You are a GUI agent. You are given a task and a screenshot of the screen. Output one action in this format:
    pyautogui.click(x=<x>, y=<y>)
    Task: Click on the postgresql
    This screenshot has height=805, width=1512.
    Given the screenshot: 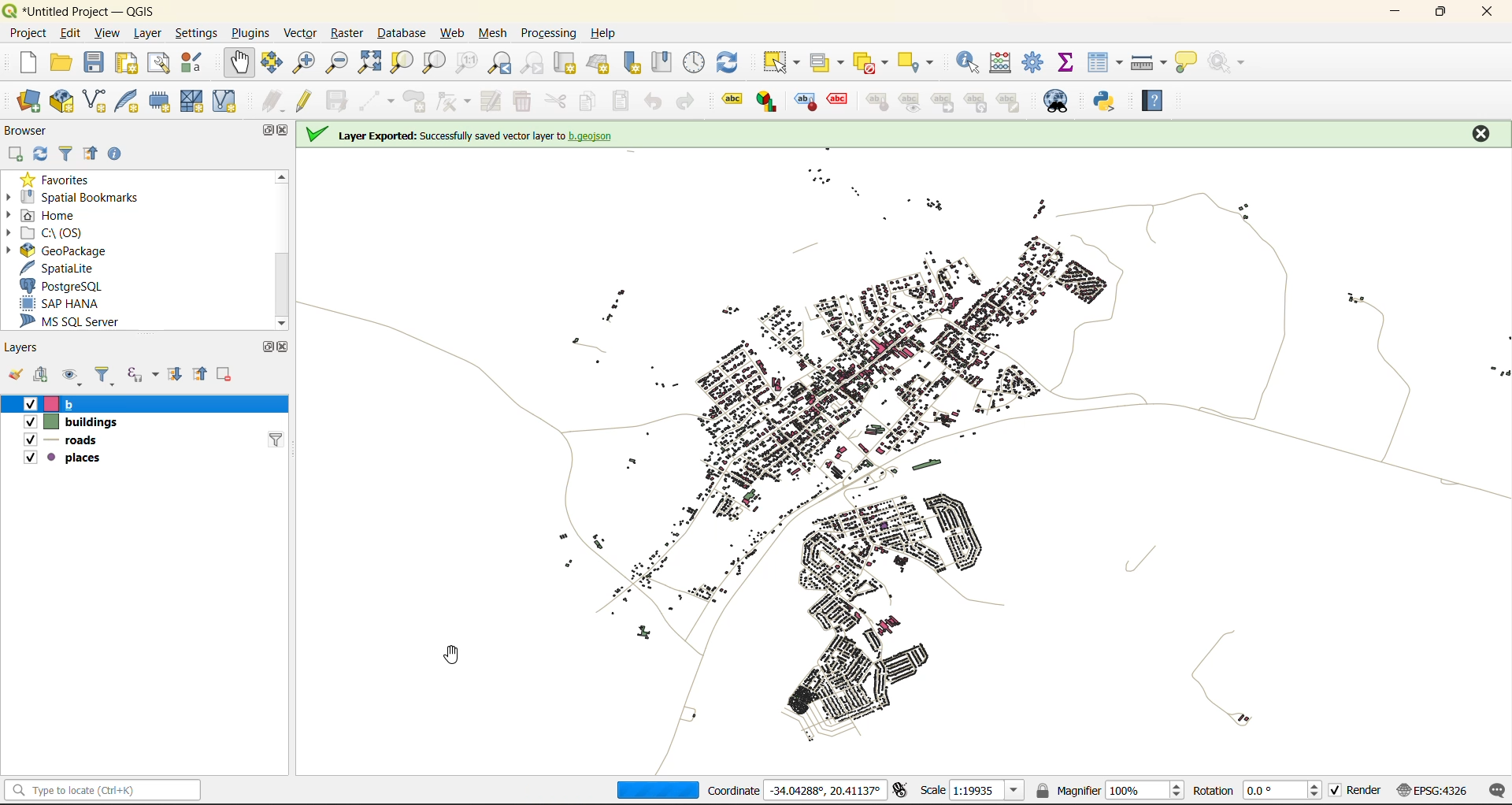 What is the action you would take?
    pyautogui.click(x=66, y=284)
    